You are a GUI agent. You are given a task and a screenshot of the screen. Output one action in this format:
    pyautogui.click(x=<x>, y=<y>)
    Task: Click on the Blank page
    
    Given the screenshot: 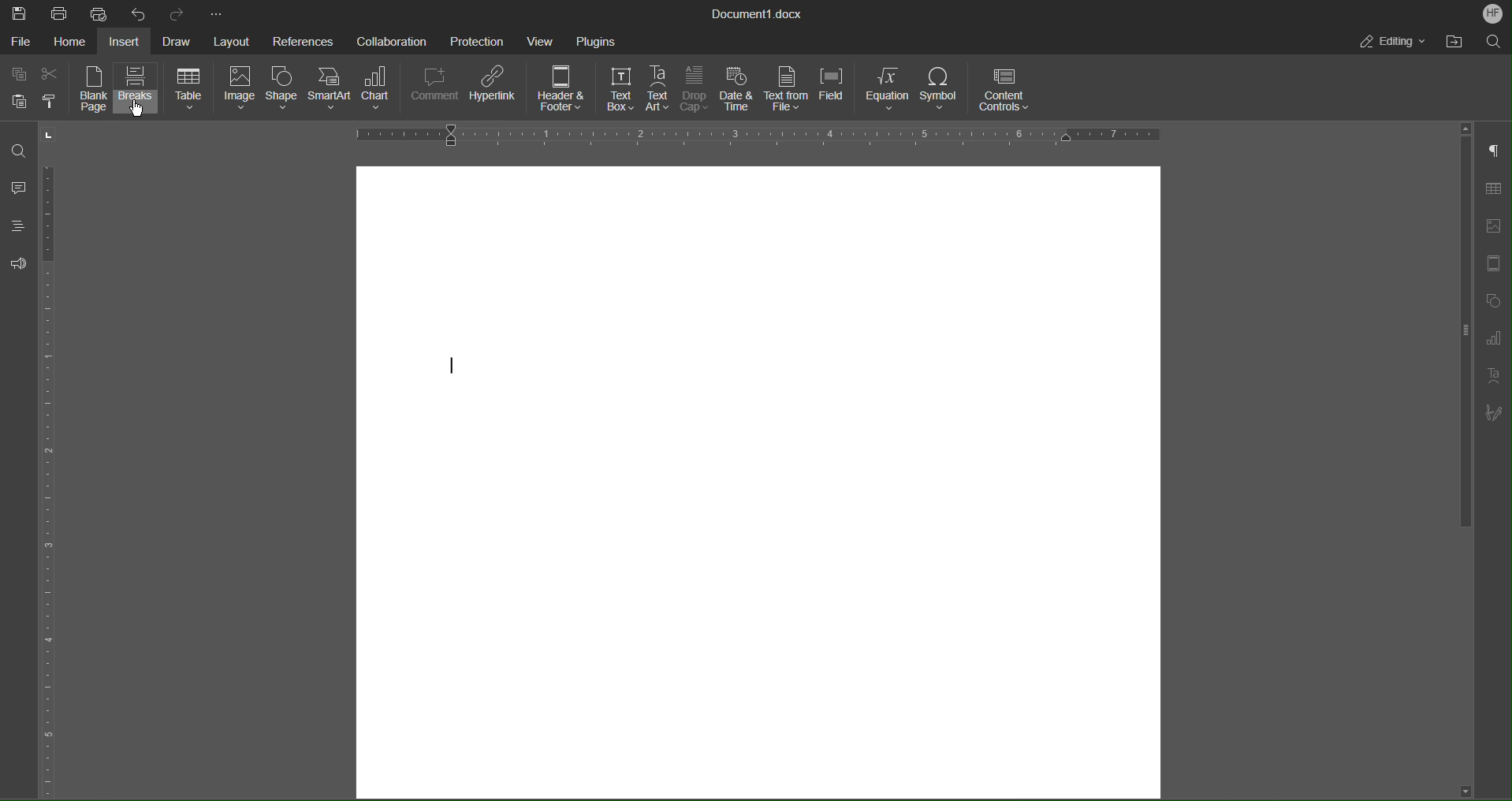 What is the action you would take?
    pyautogui.click(x=762, y=482)
    